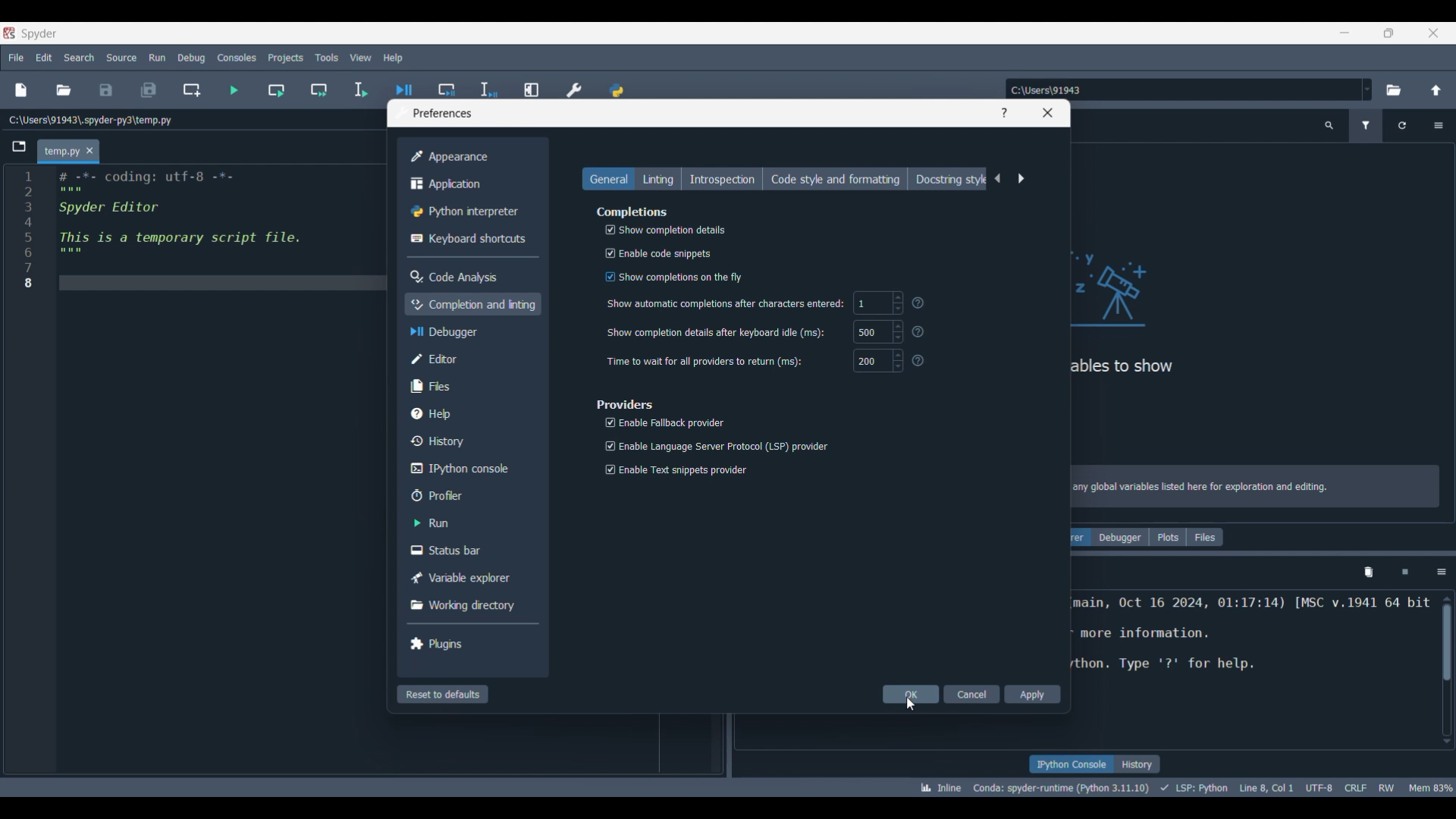  What do you see at coordinates (39, 34) in the screenshot?
I see `Software name` at bounding box center [39, 34].